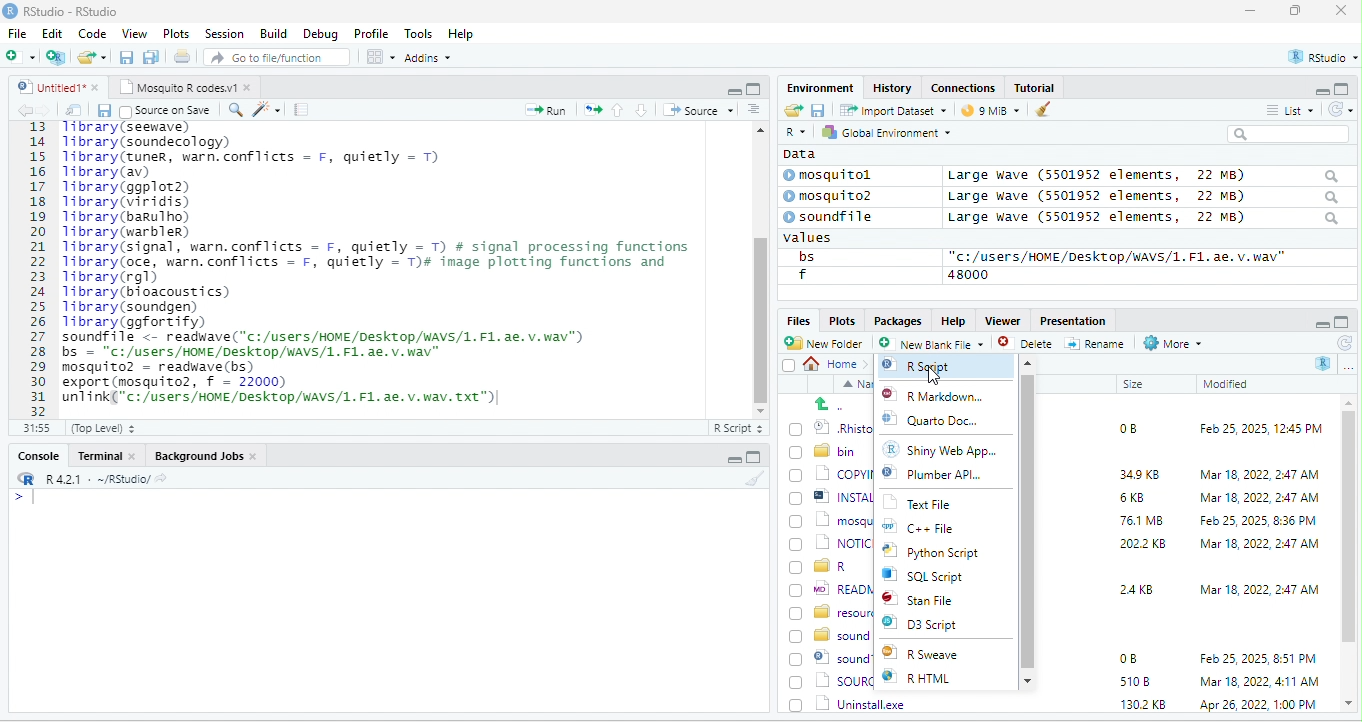 The width and height of the screenshot is (1362, 722). I want to click on stan File, so click(933, 601).